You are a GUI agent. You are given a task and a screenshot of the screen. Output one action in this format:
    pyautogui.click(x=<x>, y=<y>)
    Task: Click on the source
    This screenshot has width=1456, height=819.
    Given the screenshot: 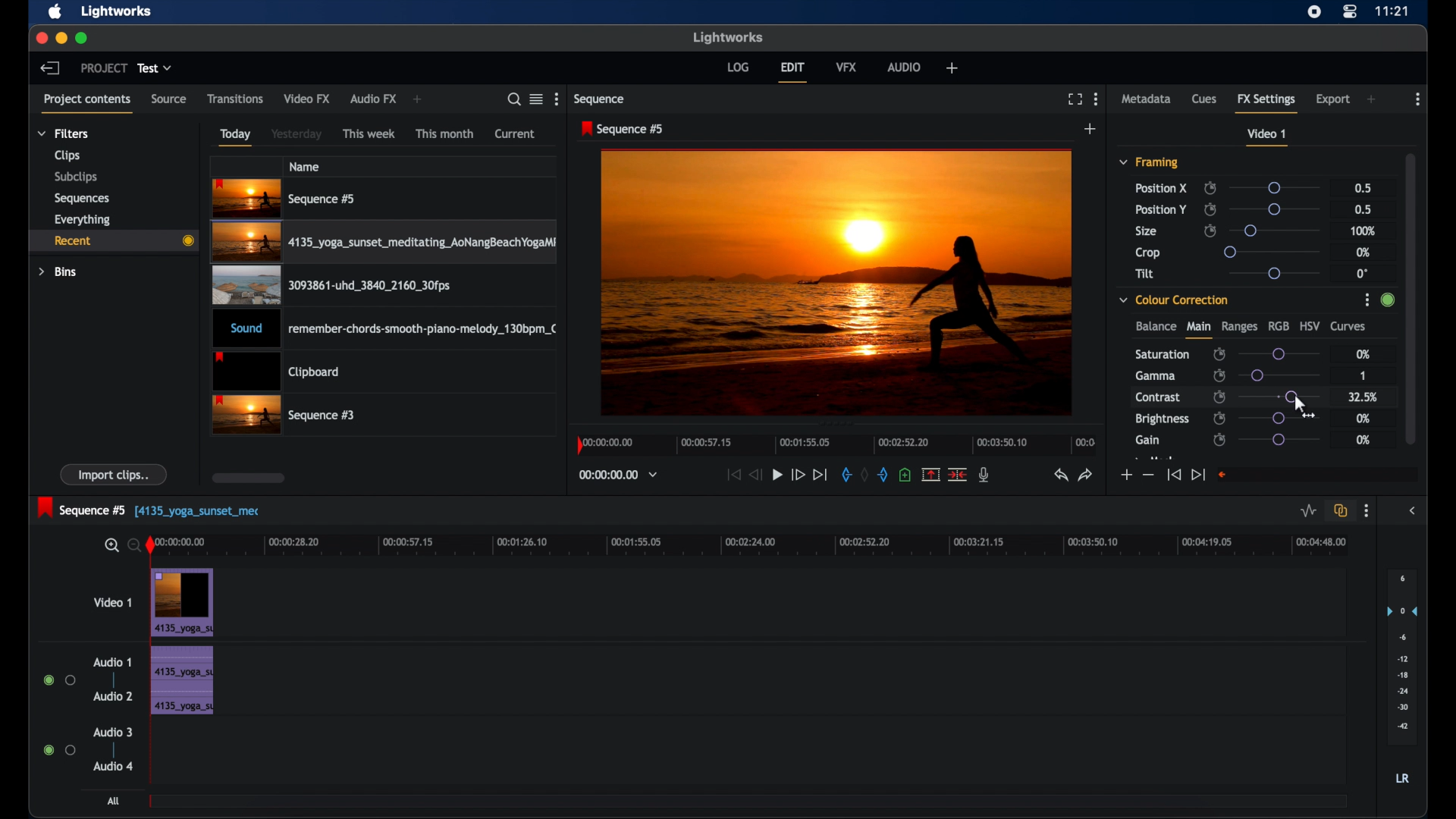 What is the action you would take?
    pyautogui.click(x=168, y=99)
    